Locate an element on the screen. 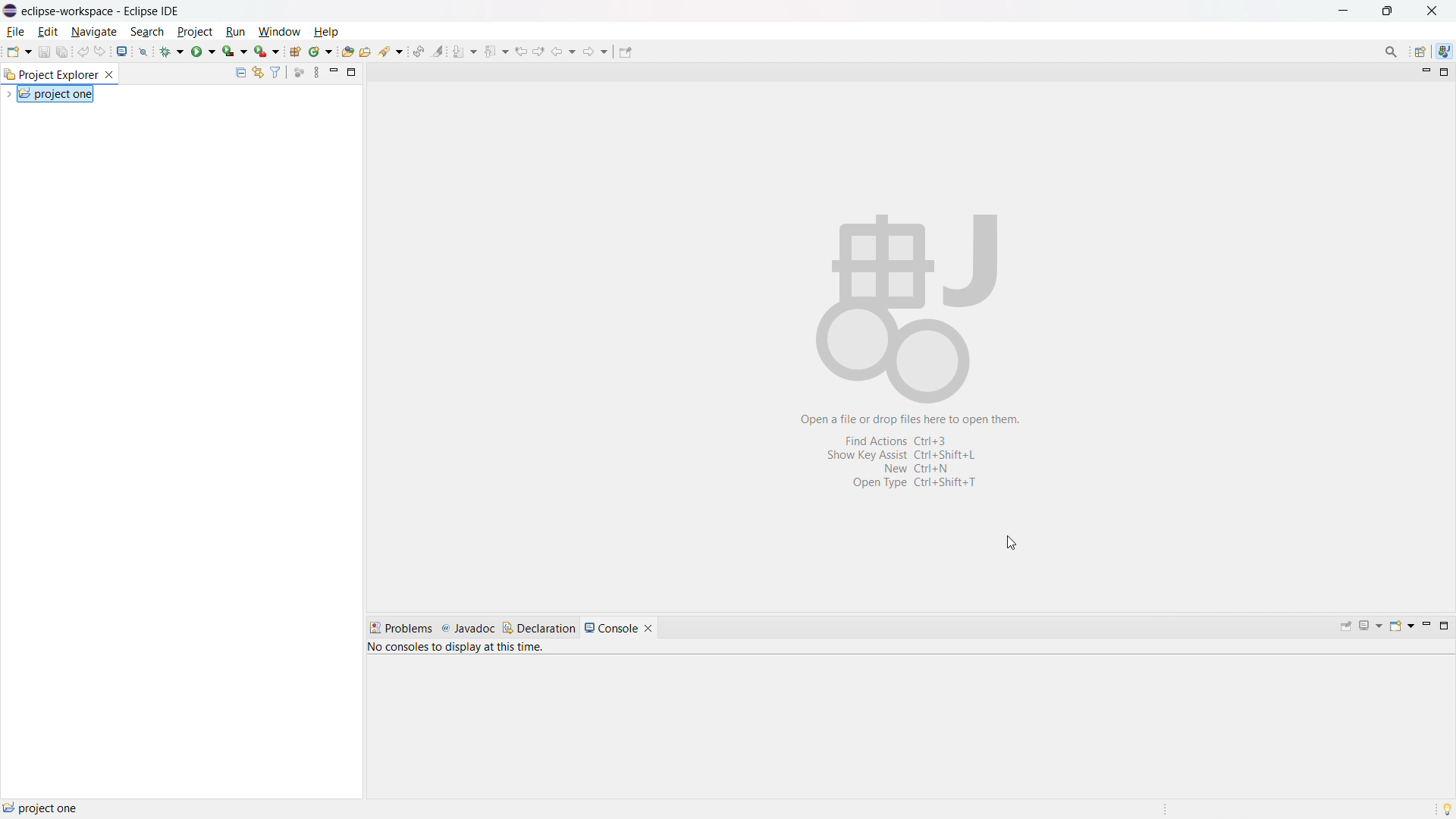  new java project is located at coordinates (294, 52).